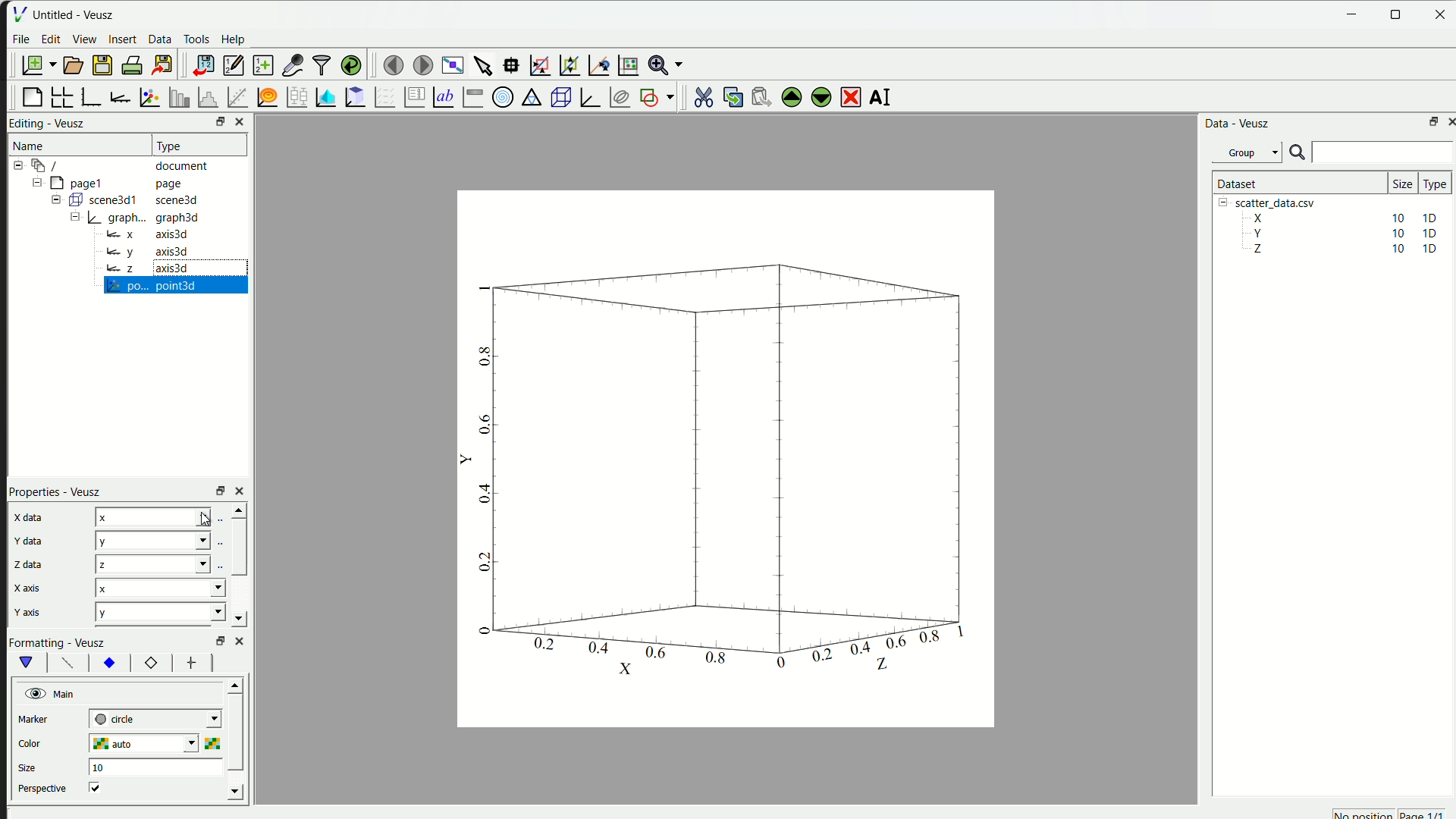 This screenshot has width=1456, height=819. Describe the element at coordinates (587, 96) in the screenshot. I see `3D Graph` at that location.